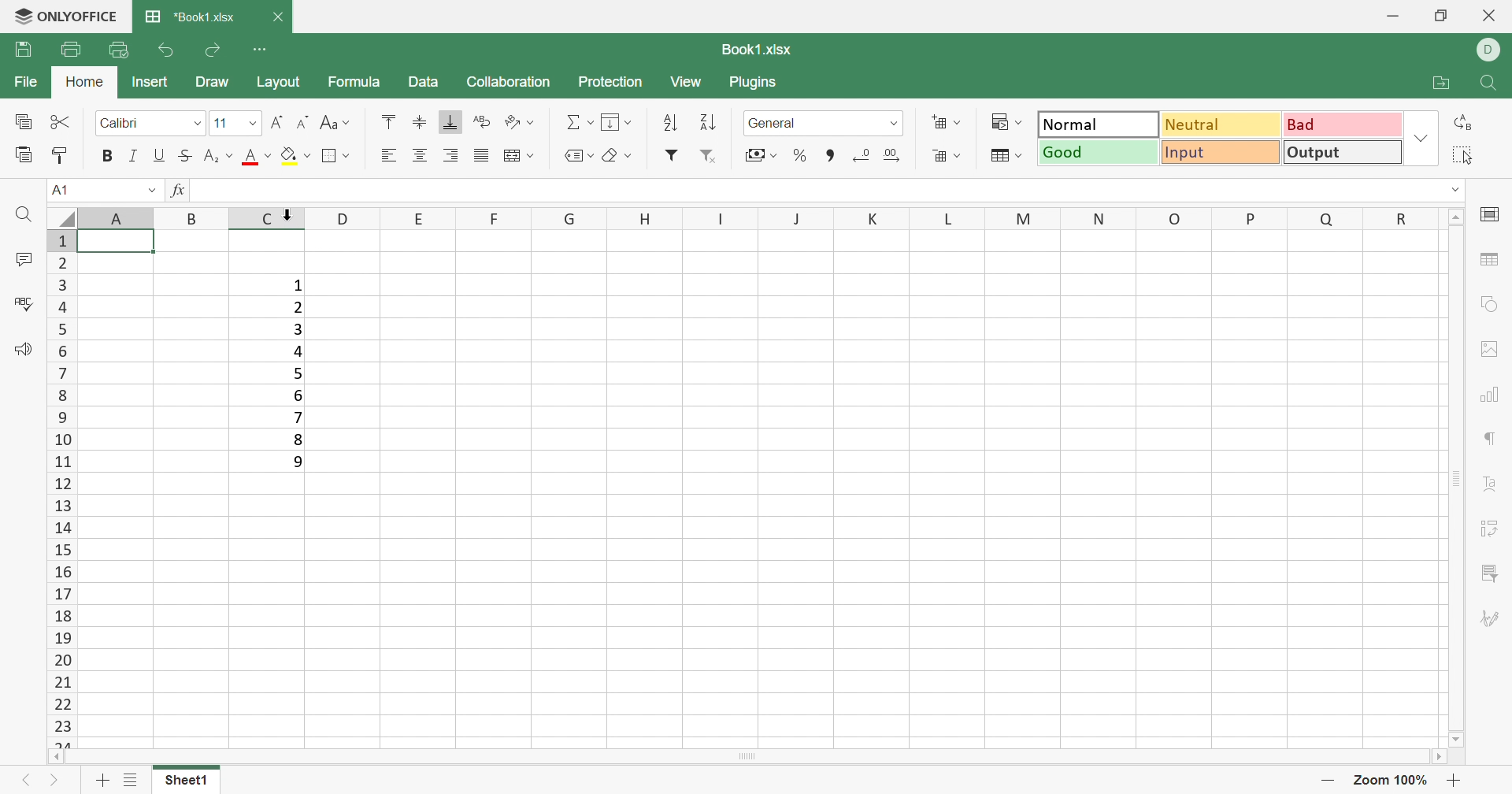 The height and width of the screenshot is (794, 1512). I want to click on Minimize, so click(1396, 16).